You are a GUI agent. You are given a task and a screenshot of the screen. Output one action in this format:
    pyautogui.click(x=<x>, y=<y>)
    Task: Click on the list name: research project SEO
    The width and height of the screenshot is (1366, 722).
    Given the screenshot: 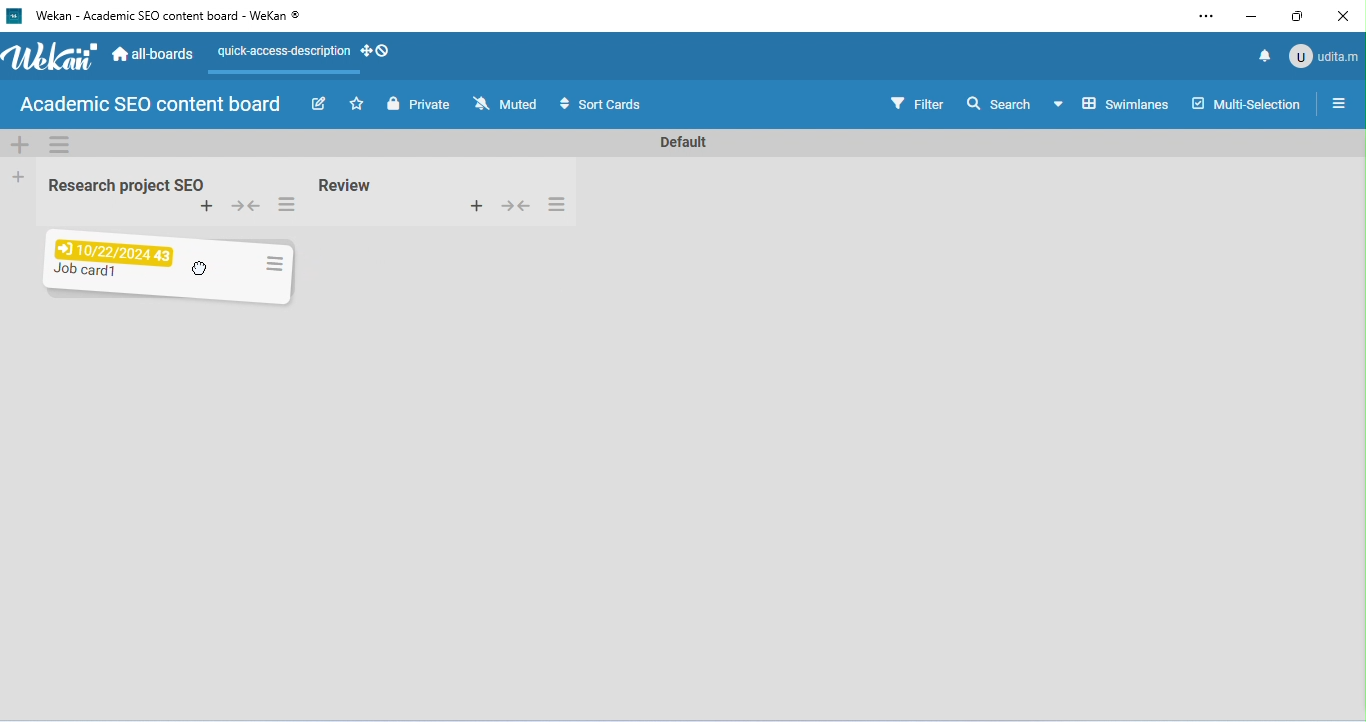 What is the action you would take?
    pyautogui.click(x=121, y=186)
    